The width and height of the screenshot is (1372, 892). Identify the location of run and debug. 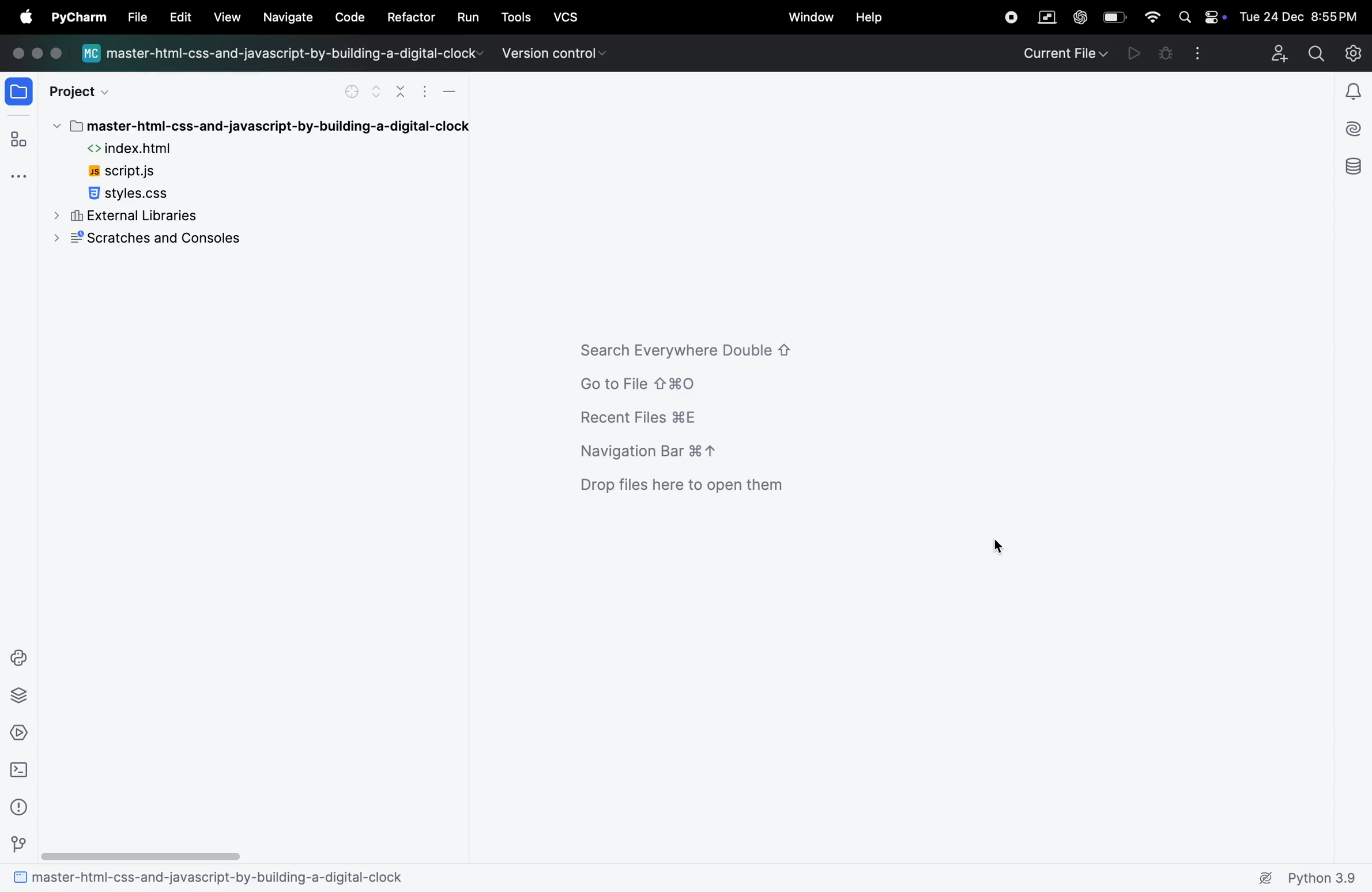
(24, 731).